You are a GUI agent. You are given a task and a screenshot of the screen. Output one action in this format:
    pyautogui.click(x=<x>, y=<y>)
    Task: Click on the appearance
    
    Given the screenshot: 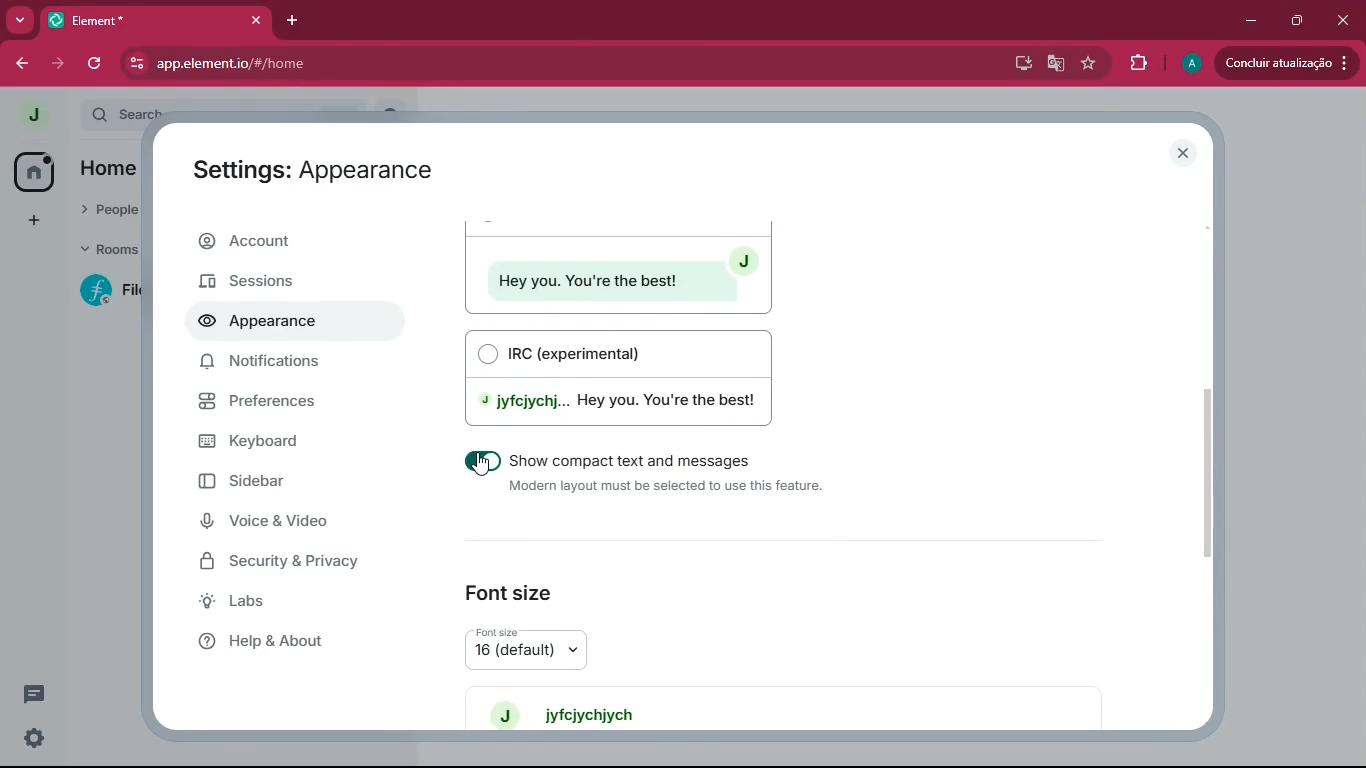 What is the action you would take?
    pyautogui.click(x=265, y=324)
    